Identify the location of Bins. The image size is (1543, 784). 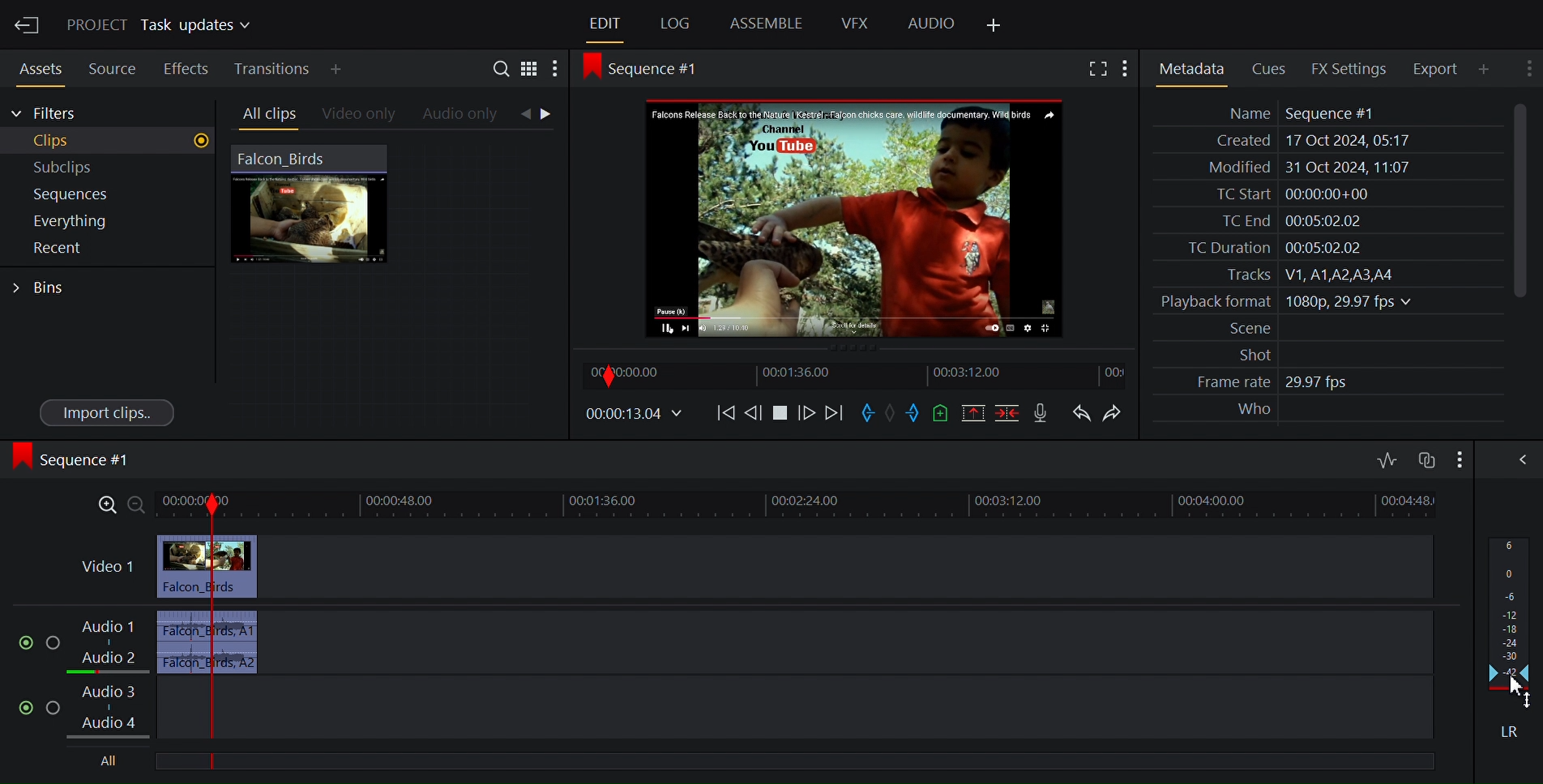
(47, 286).